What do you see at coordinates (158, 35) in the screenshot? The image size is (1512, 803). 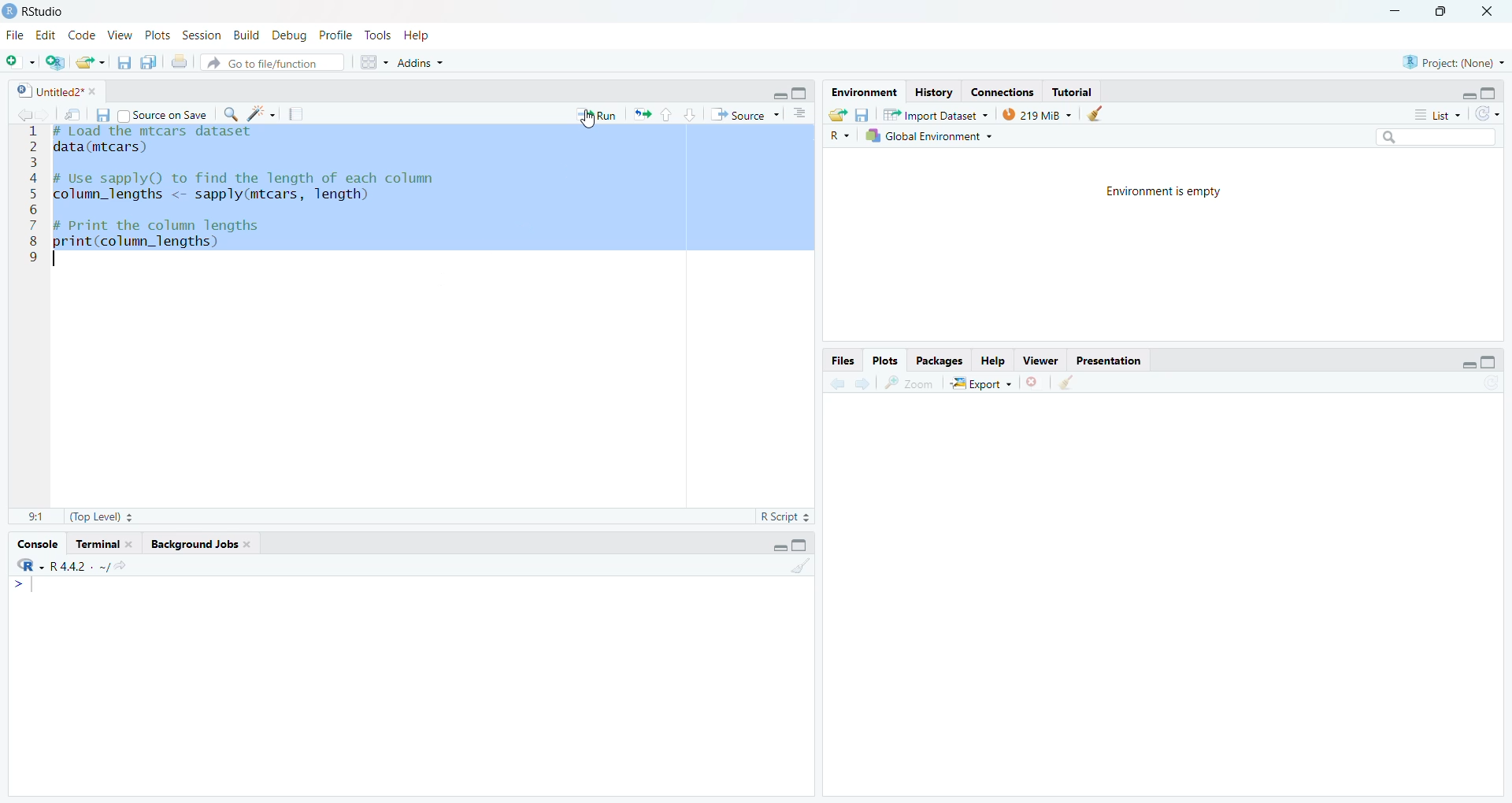 I see `Plots` at bounding box center [158, 35].